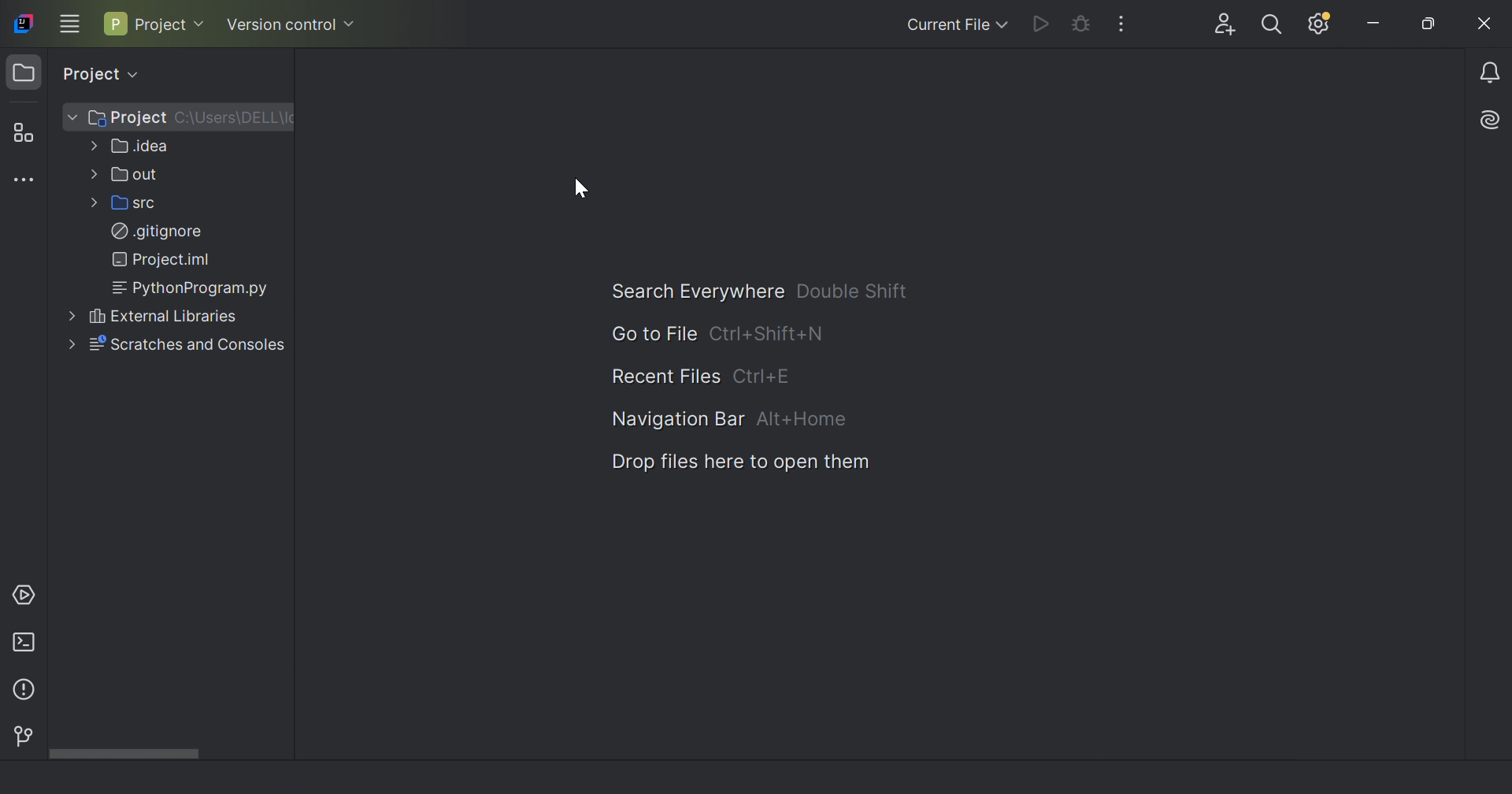  I want to click on Version control, so click(292, 24).